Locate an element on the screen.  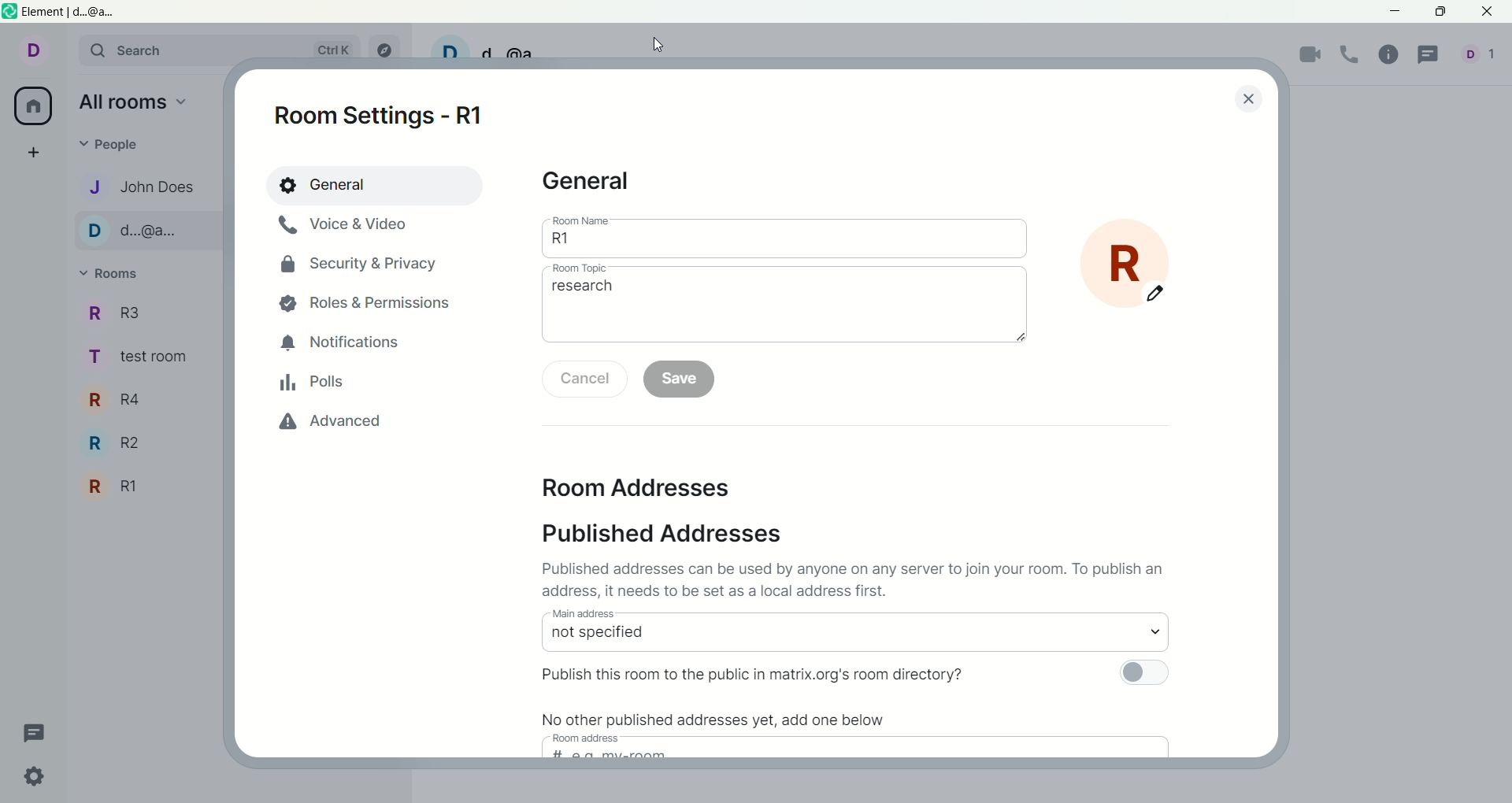
element logo is located at coordinates (9, 13).